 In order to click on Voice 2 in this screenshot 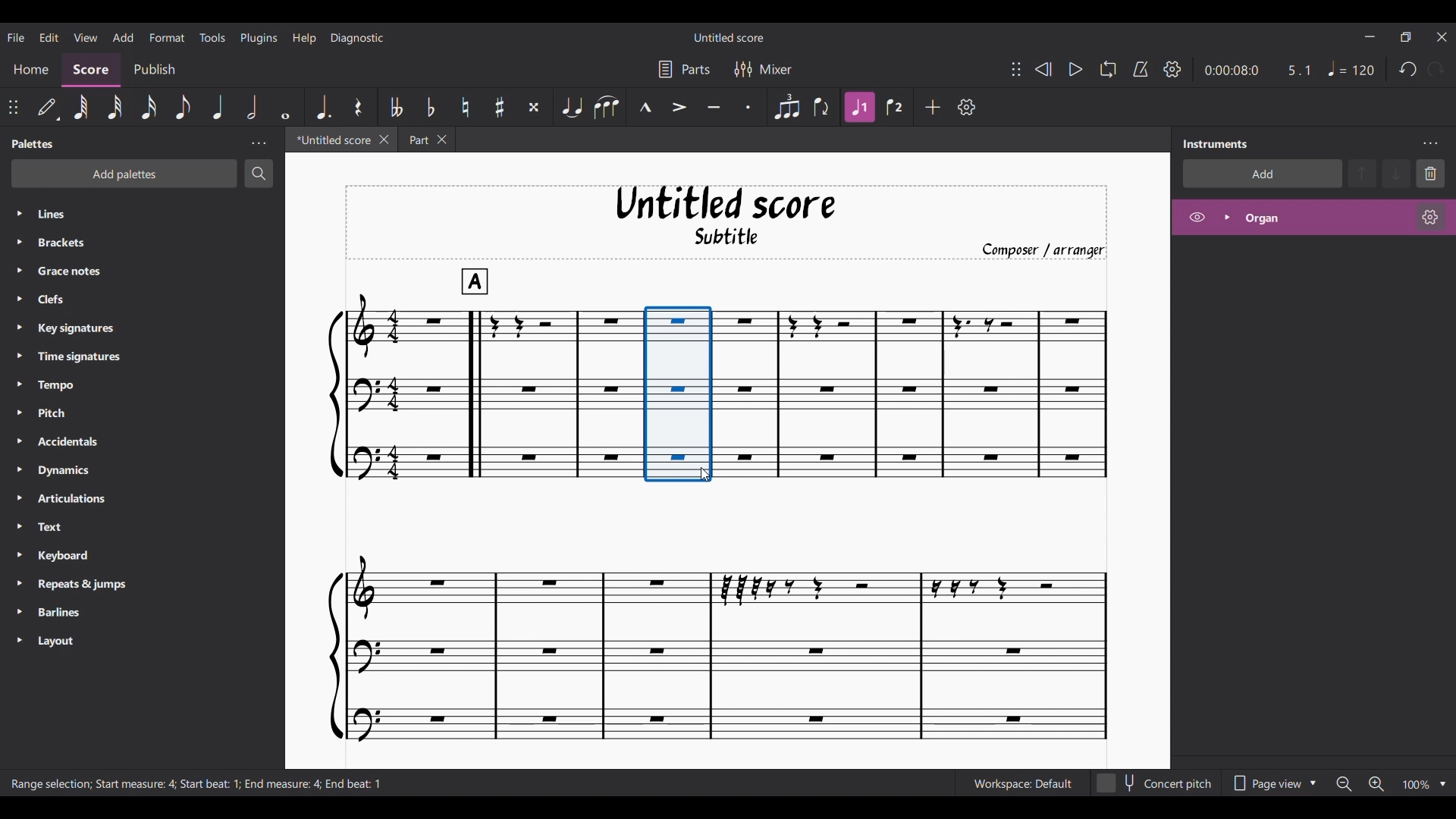, I will do `click(896, 107)`.